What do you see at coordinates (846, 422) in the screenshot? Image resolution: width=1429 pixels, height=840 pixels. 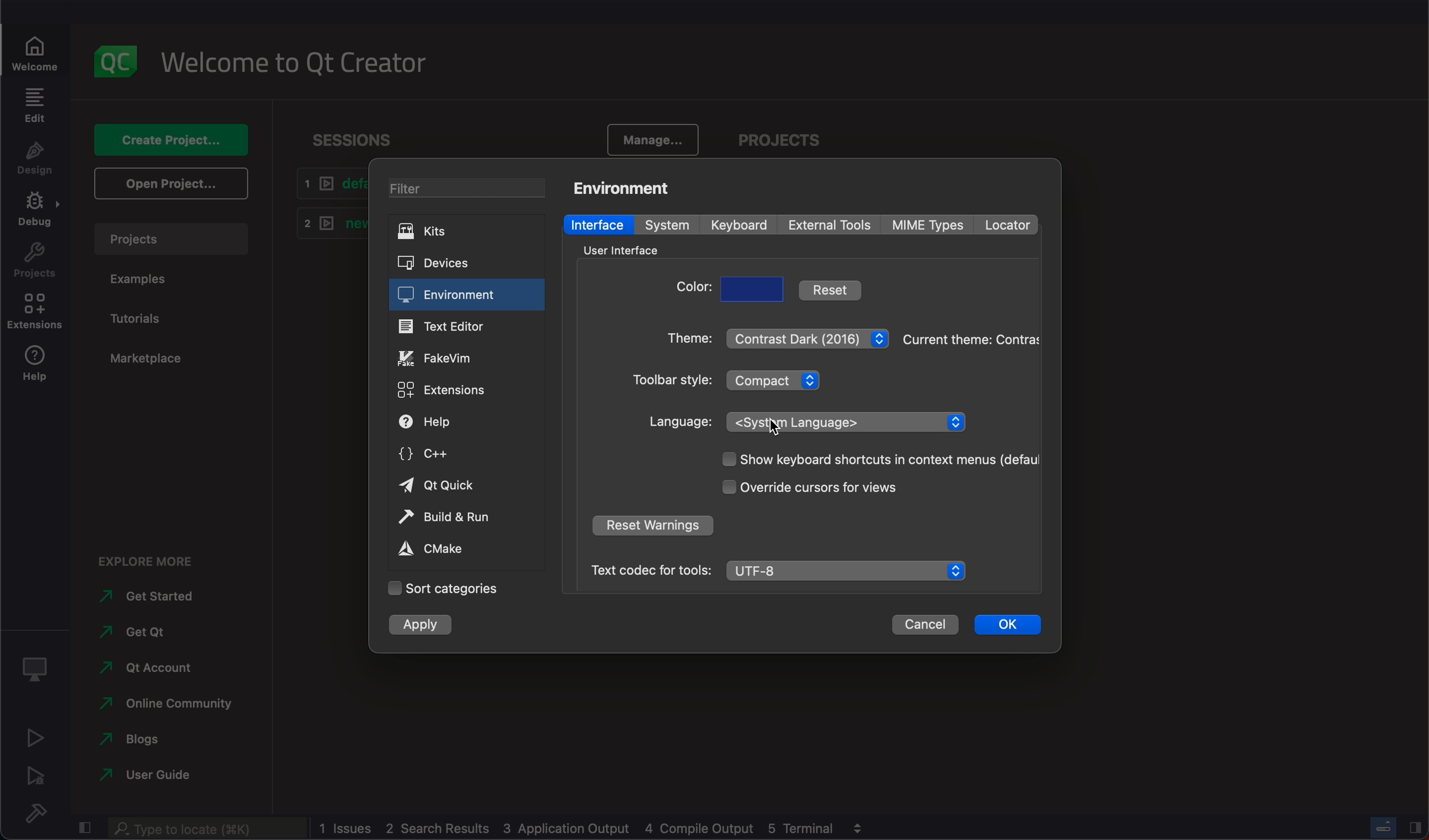 I see `language menu` at bounding box center [846, 422].